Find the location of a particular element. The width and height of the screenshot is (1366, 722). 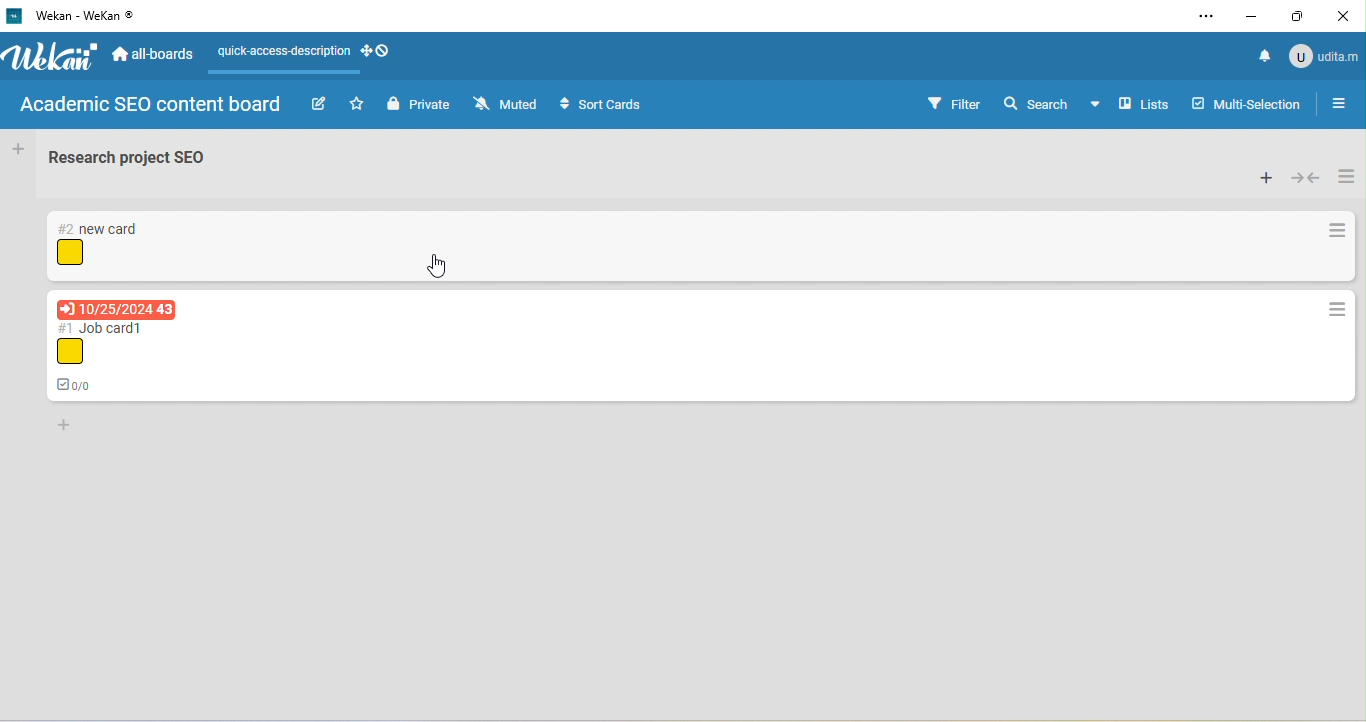

settings and more is located at coordinates (1205, 17).